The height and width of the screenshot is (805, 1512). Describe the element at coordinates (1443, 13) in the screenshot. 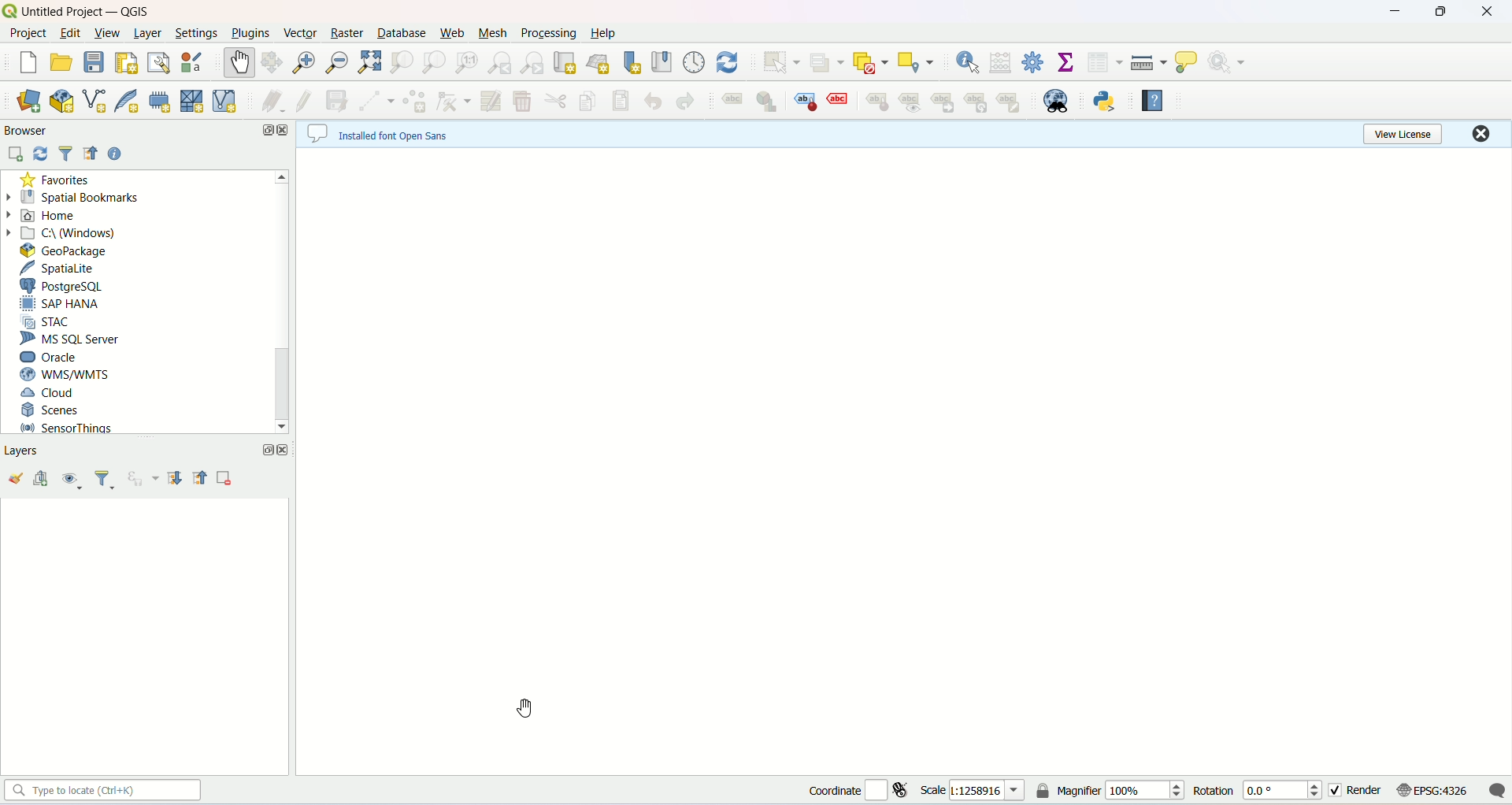

I see `maximize` at that location.